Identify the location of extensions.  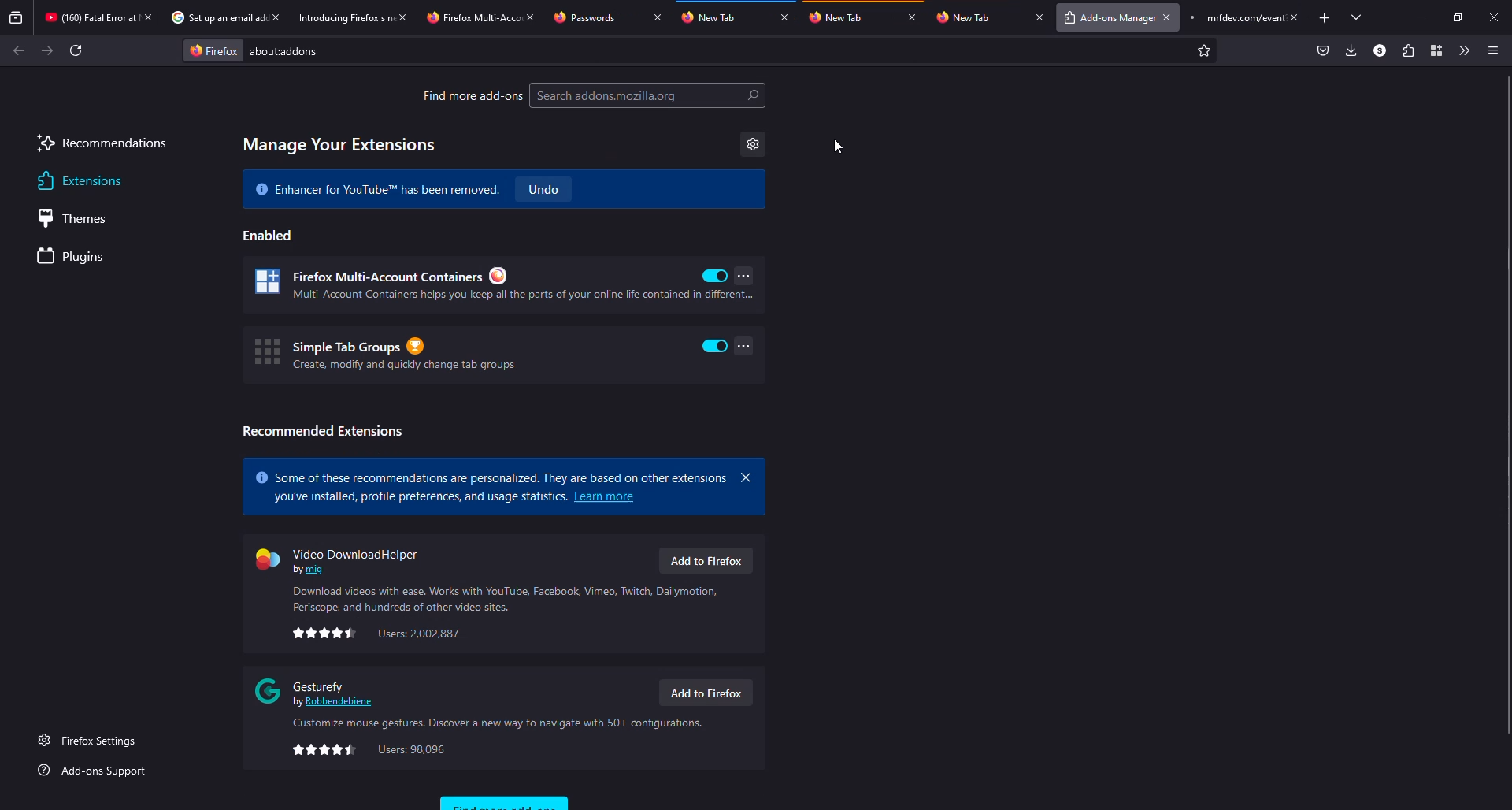
(77, 181).